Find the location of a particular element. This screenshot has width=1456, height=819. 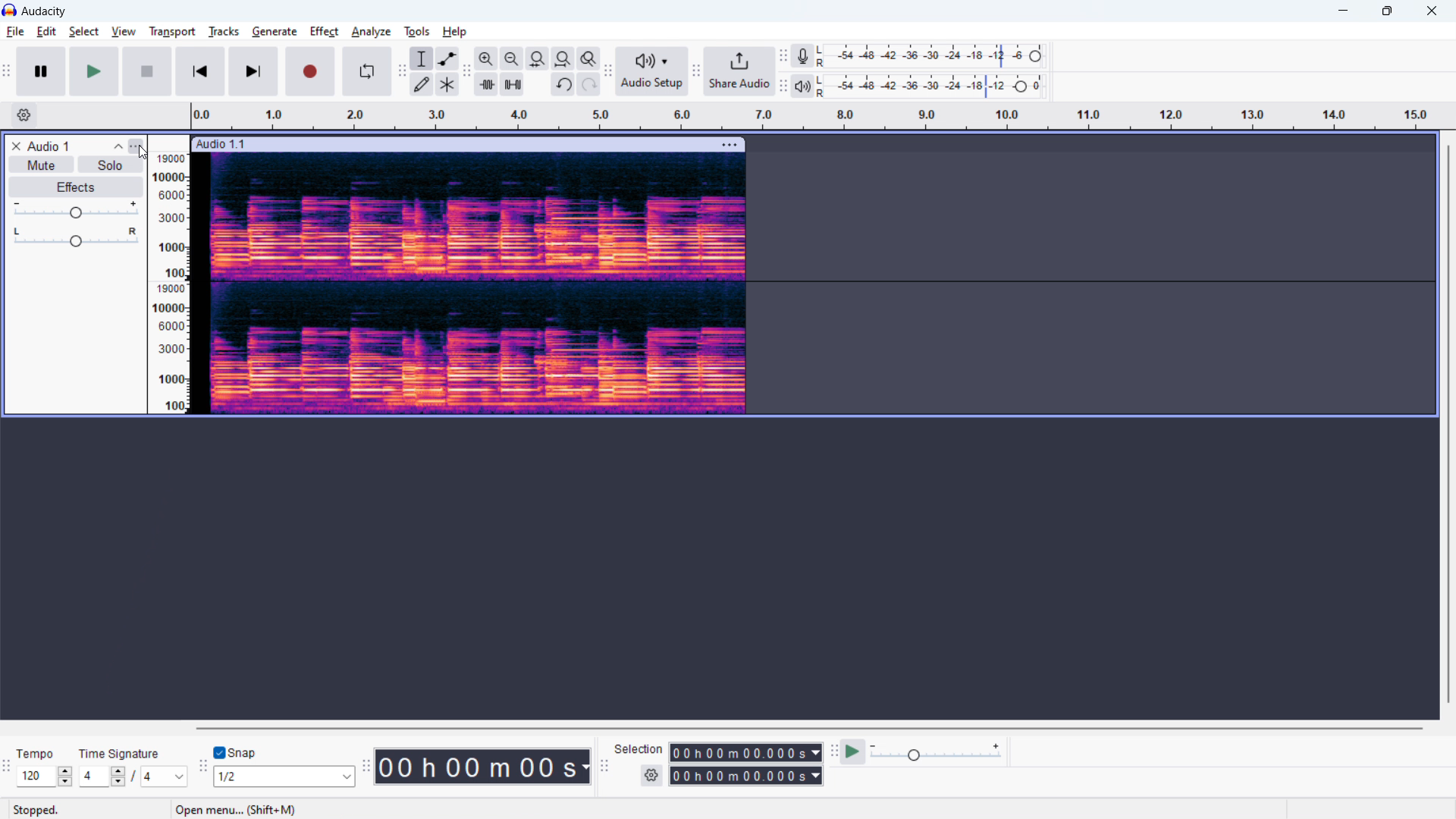

maximize is located at coordinates (1387, 11).